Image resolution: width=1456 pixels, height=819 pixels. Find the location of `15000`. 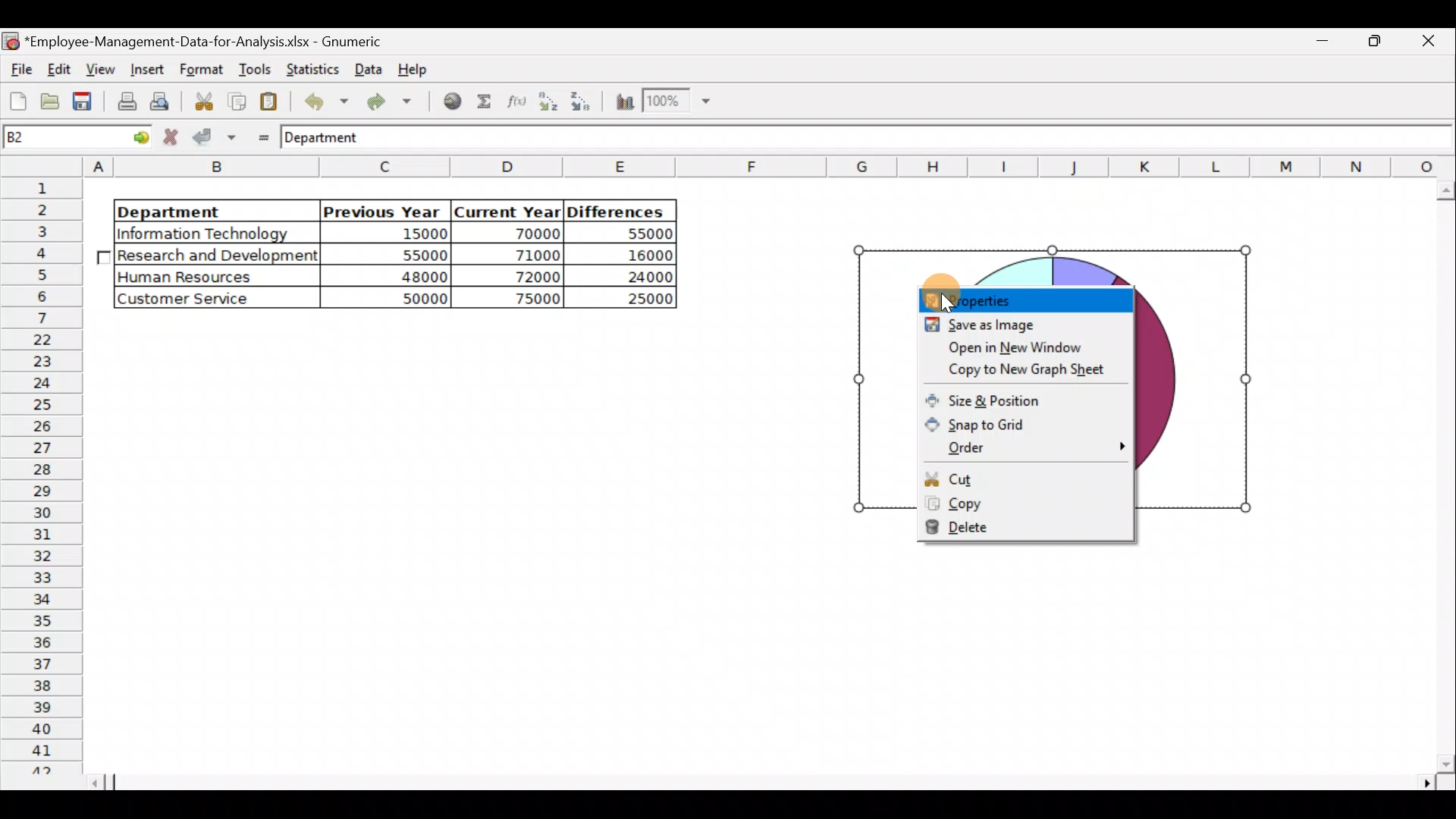

15000 is located at coordinates (397, 236).